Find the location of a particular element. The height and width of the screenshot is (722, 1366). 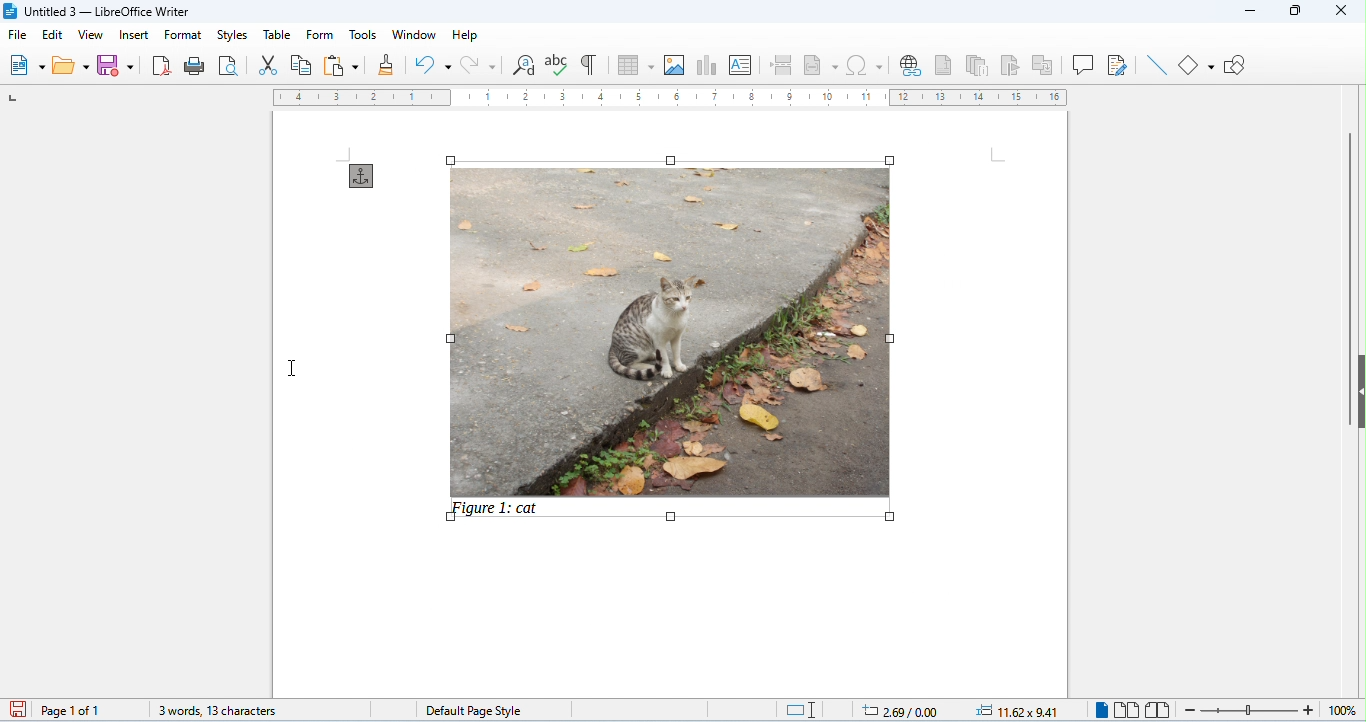

find and replace is located at coordinates (523, 67).